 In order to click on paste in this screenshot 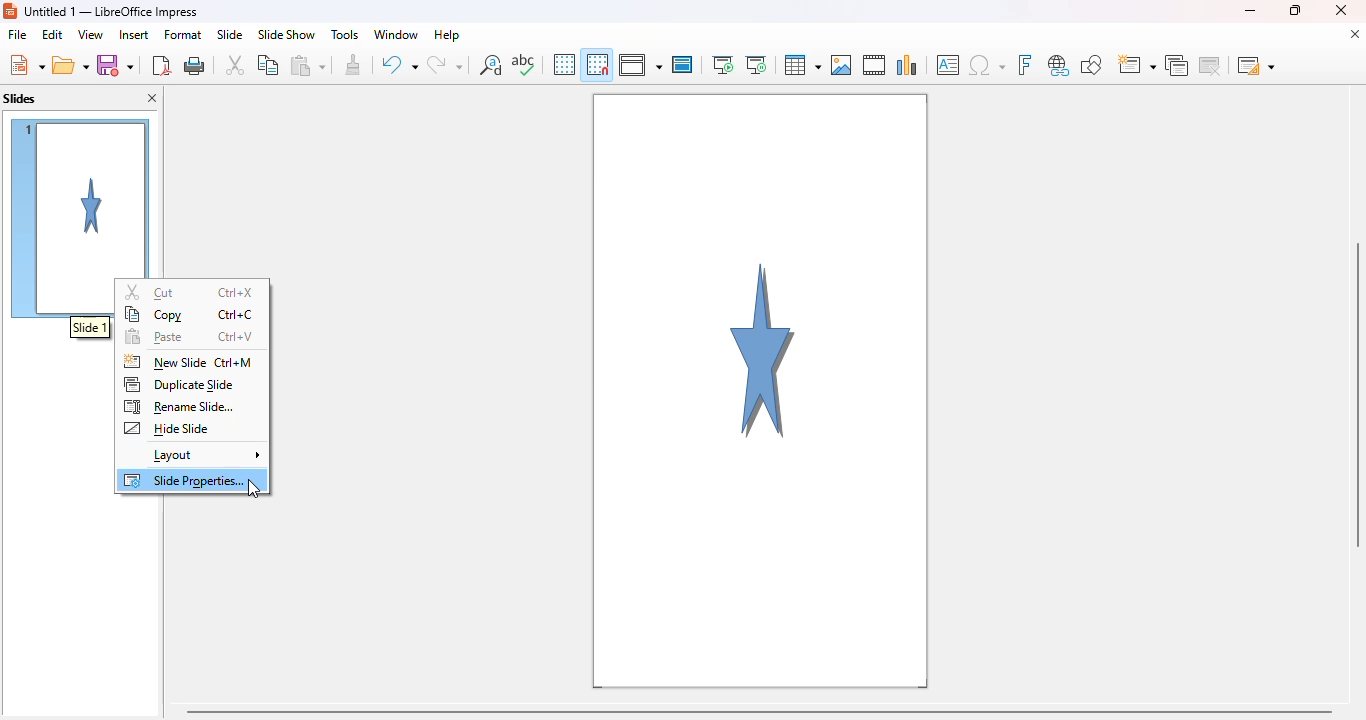, I will do `click(155, 336)`.